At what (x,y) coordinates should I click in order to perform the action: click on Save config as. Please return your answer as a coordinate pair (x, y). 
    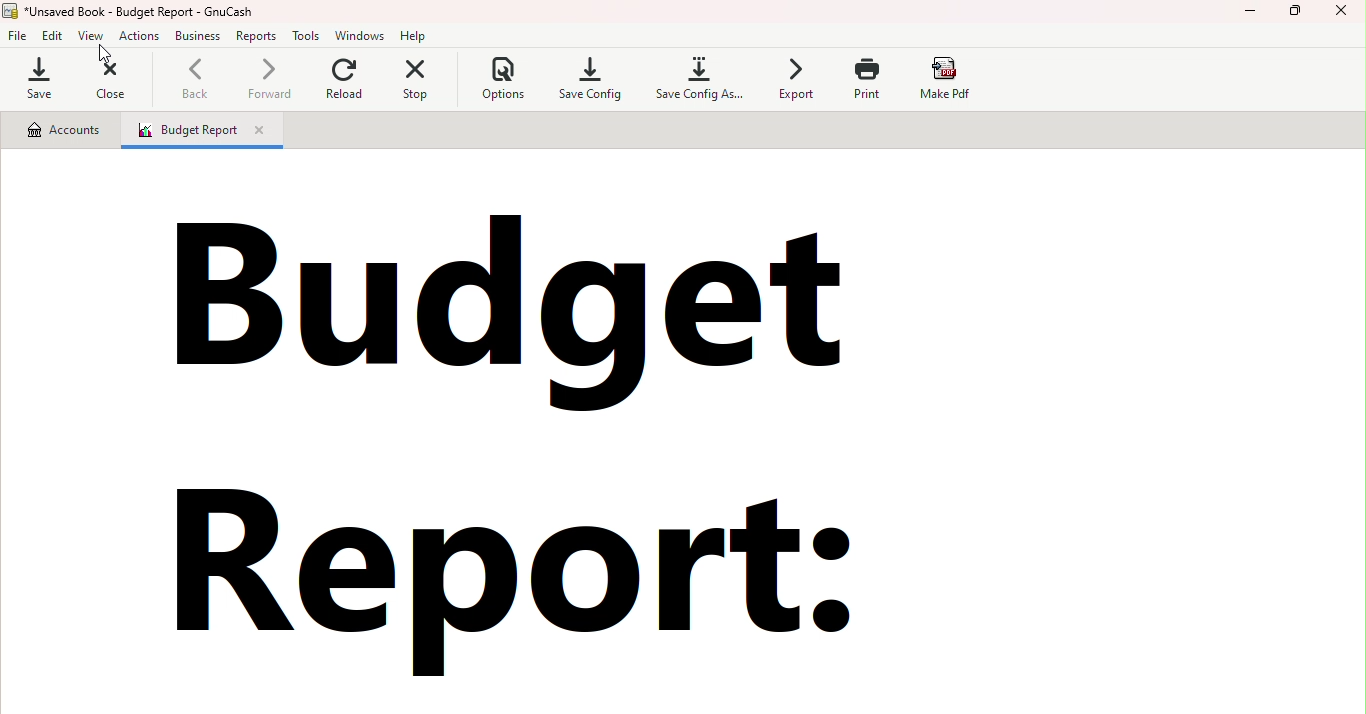
    Looking at the image, I should click on (696, 81).